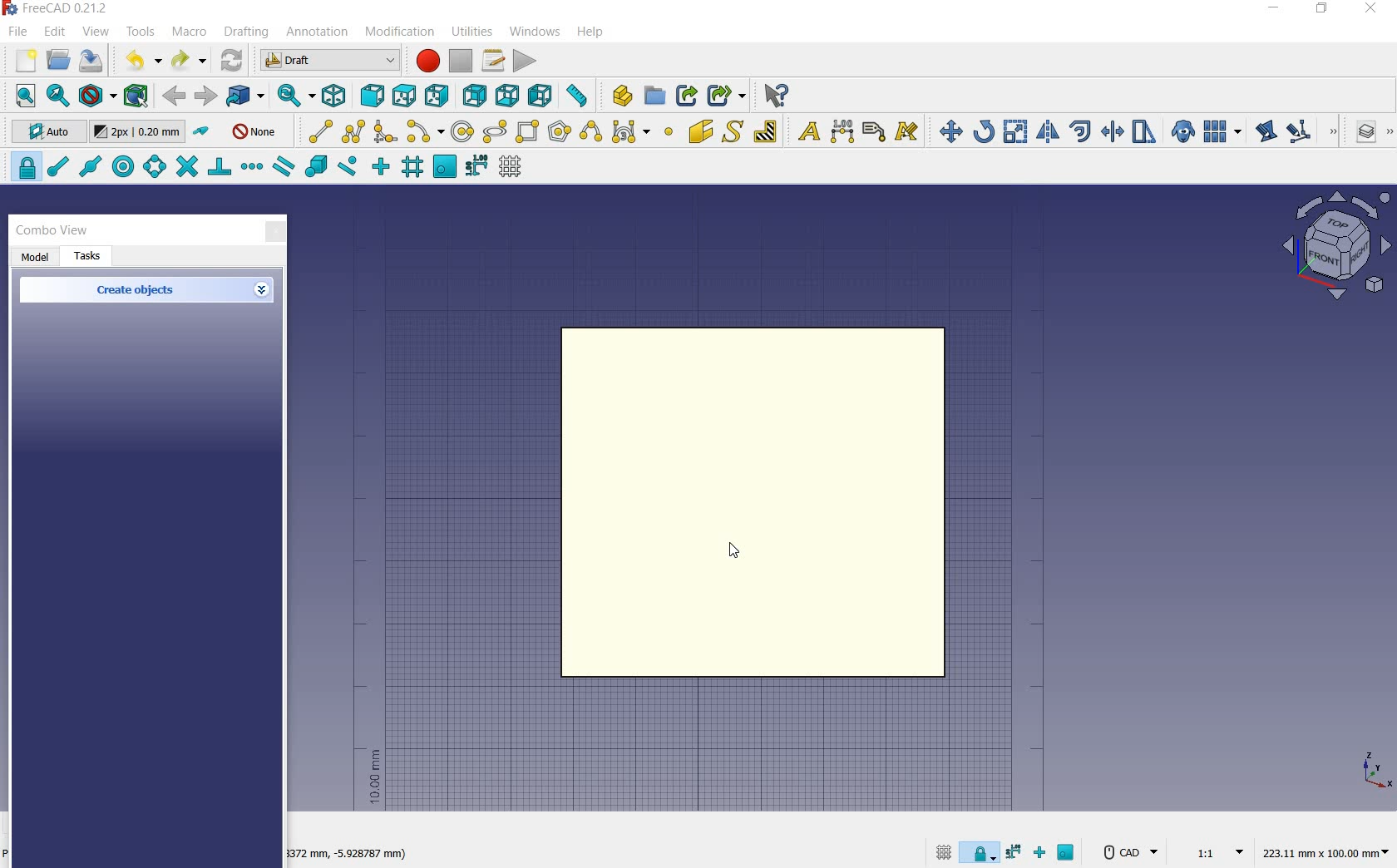 The image size is (1397, 868). I want to click on polygon, so click(560, 131).